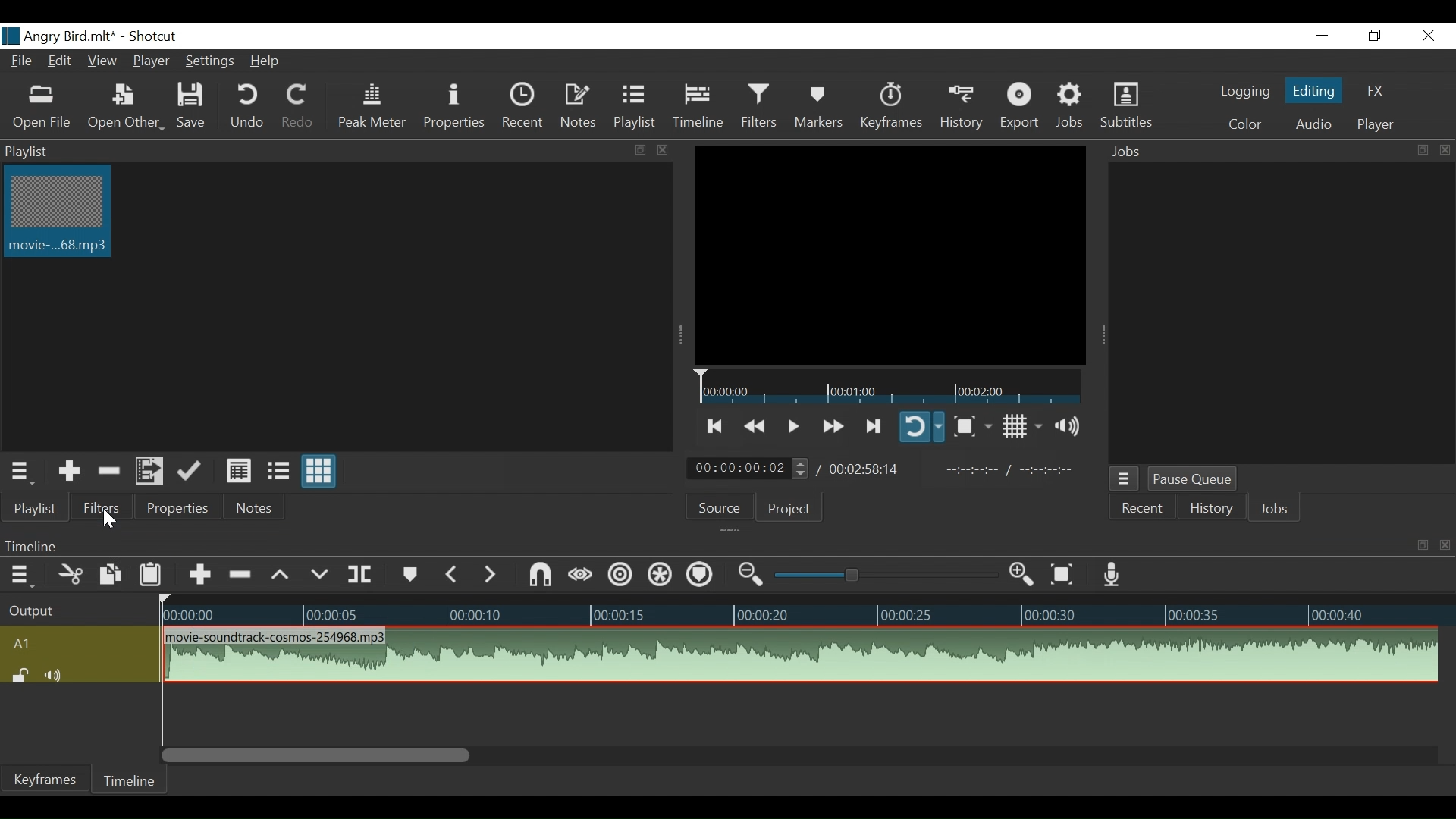 The width and height of the screenshot is (1456, 819). Describe the element at coordinates (704, 546) in the screenshot. I see `Timeline menu` at that location.